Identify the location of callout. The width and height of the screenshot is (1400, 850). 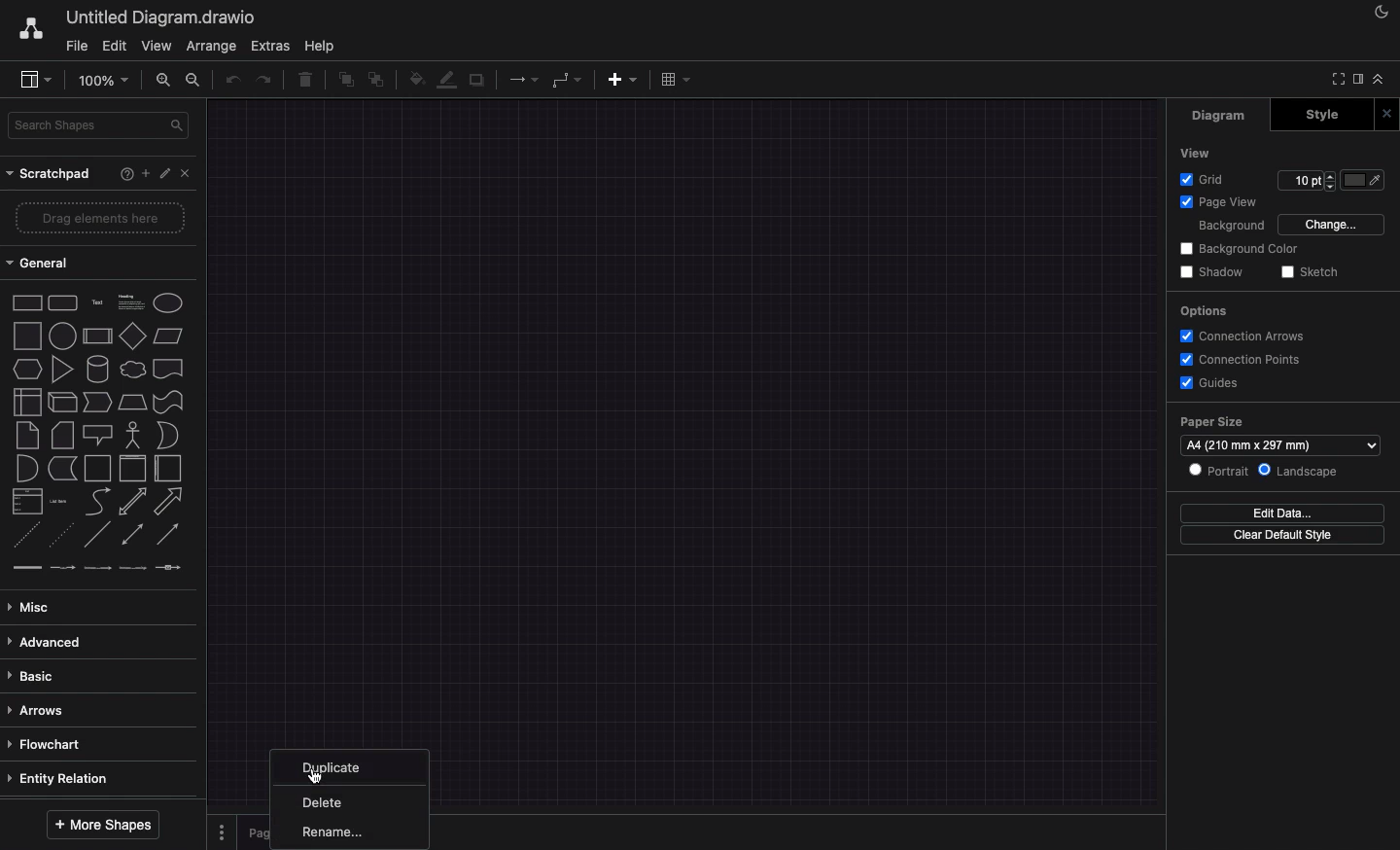
(99, 435).